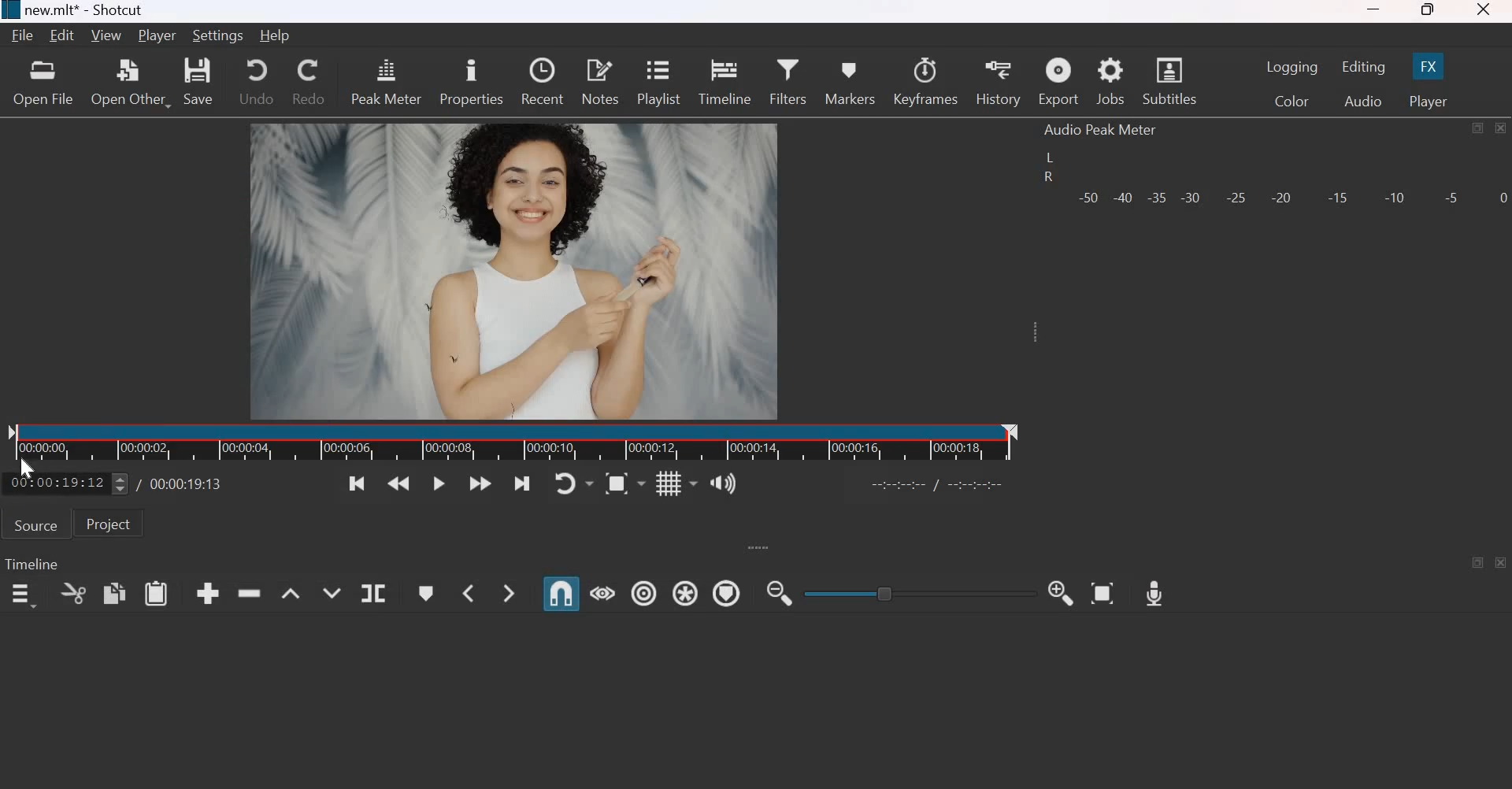 This screenshot has width=1512, height=789. What do you see at coordinates (1291, 195) in the screenshot?
I see `Volume meter` at bounding box center [1291, 195].